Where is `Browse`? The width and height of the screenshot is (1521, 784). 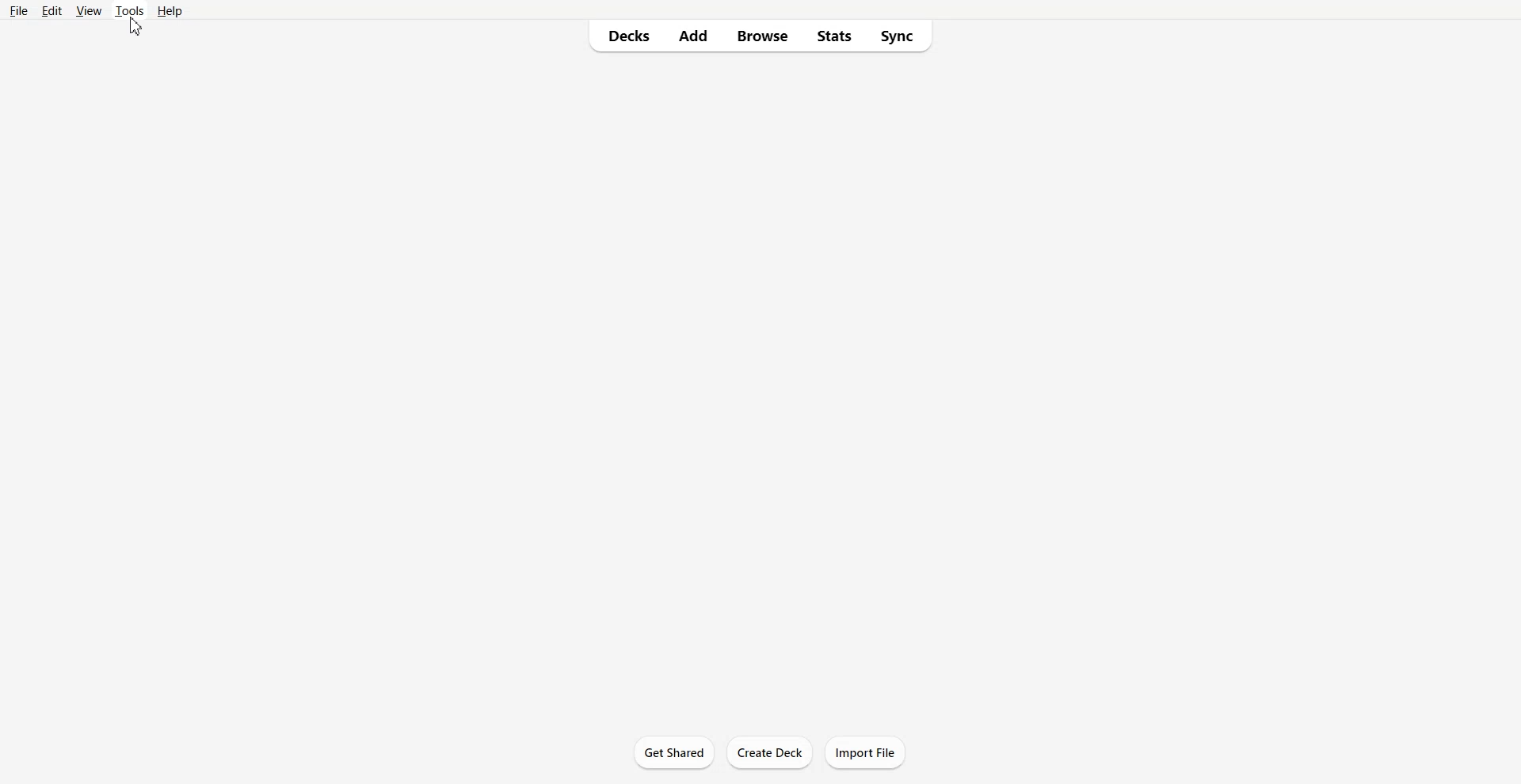 Browse is located at coordinates (763, 36).